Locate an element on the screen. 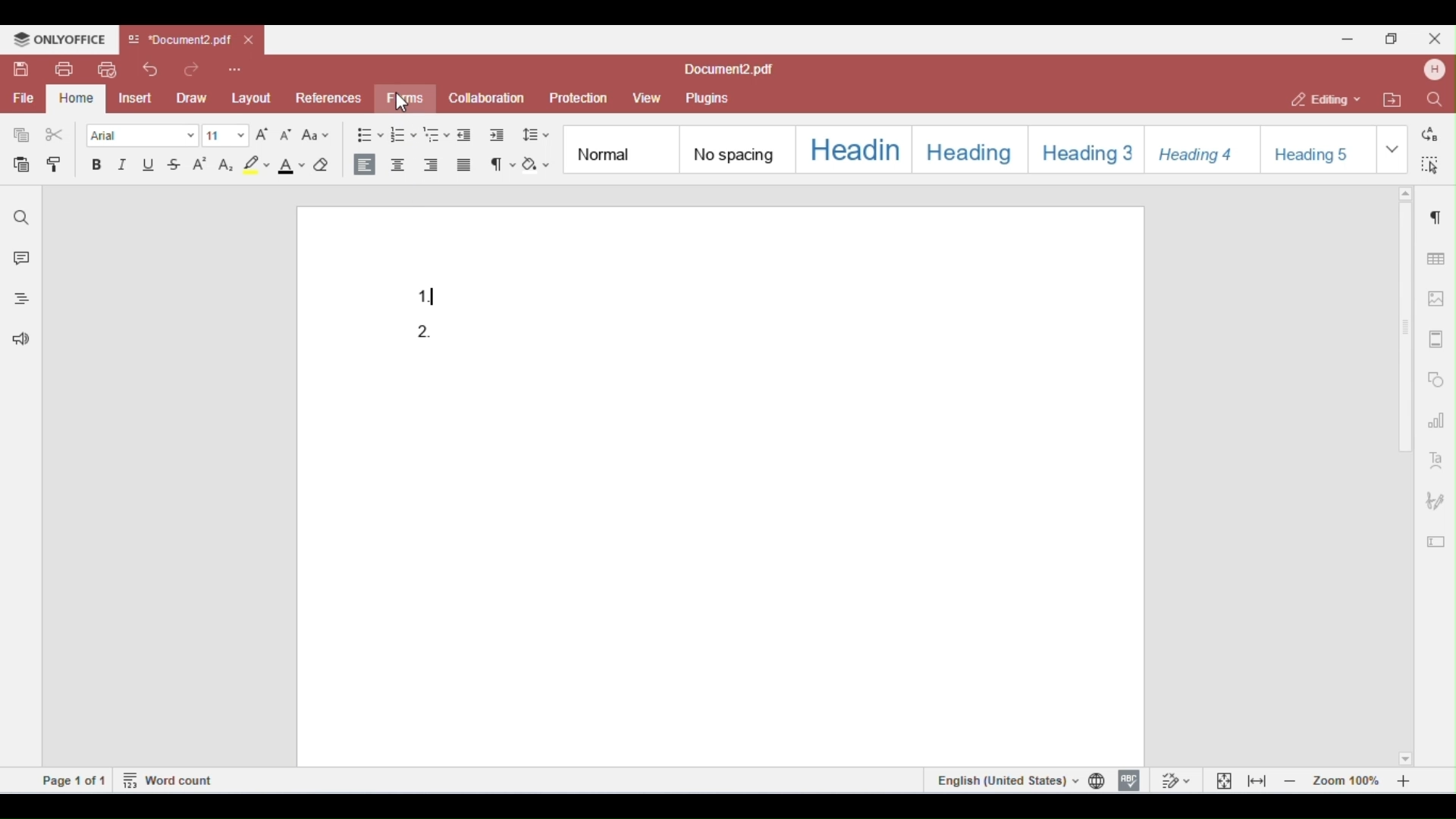 This screenshot has width=1456, height=819. view is located at coordinates (647, 99).